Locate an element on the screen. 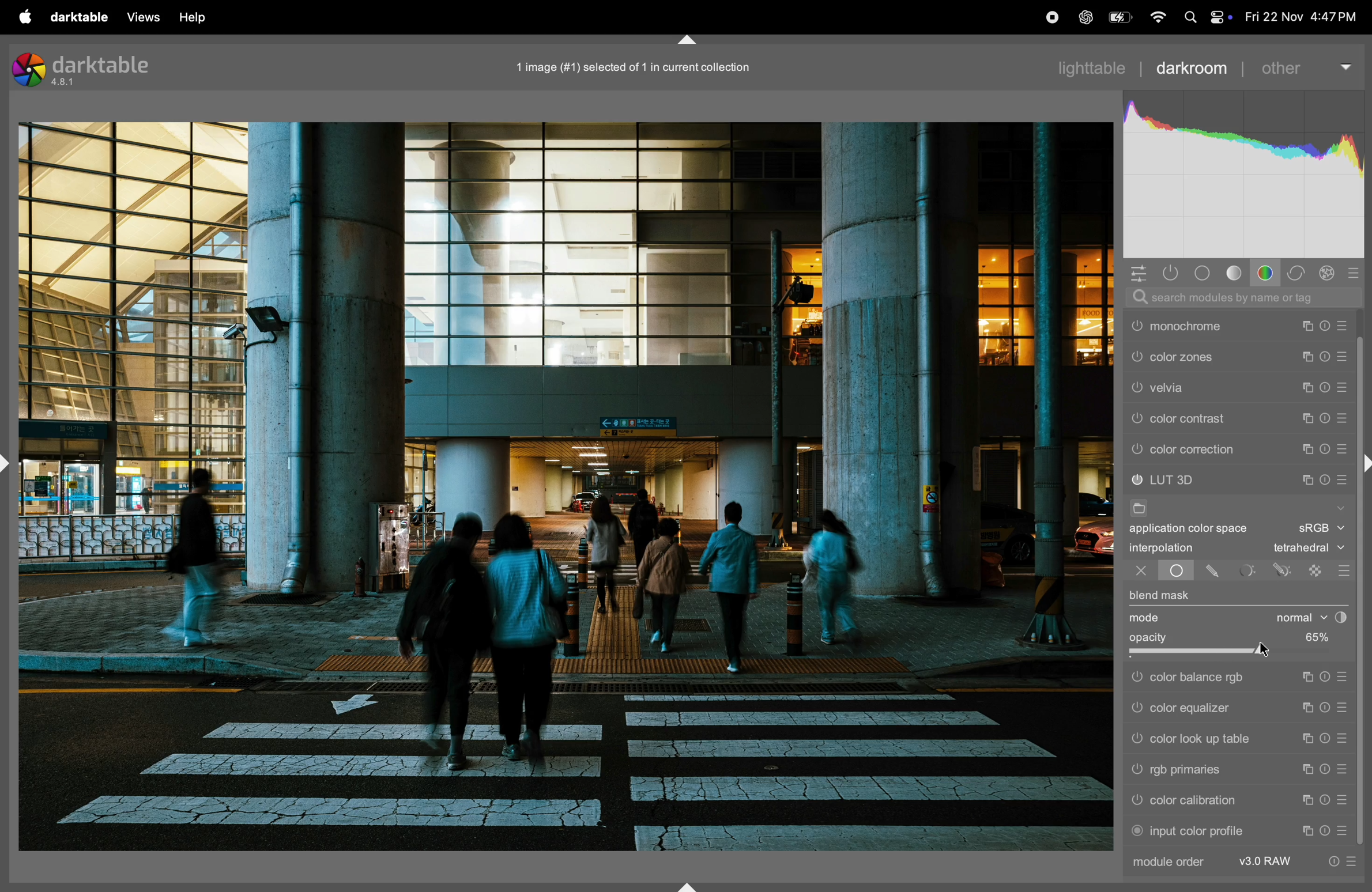 Image resolution: width=1372 pixels, height=892 pixels. reset is located at coordinates (1325, 384).